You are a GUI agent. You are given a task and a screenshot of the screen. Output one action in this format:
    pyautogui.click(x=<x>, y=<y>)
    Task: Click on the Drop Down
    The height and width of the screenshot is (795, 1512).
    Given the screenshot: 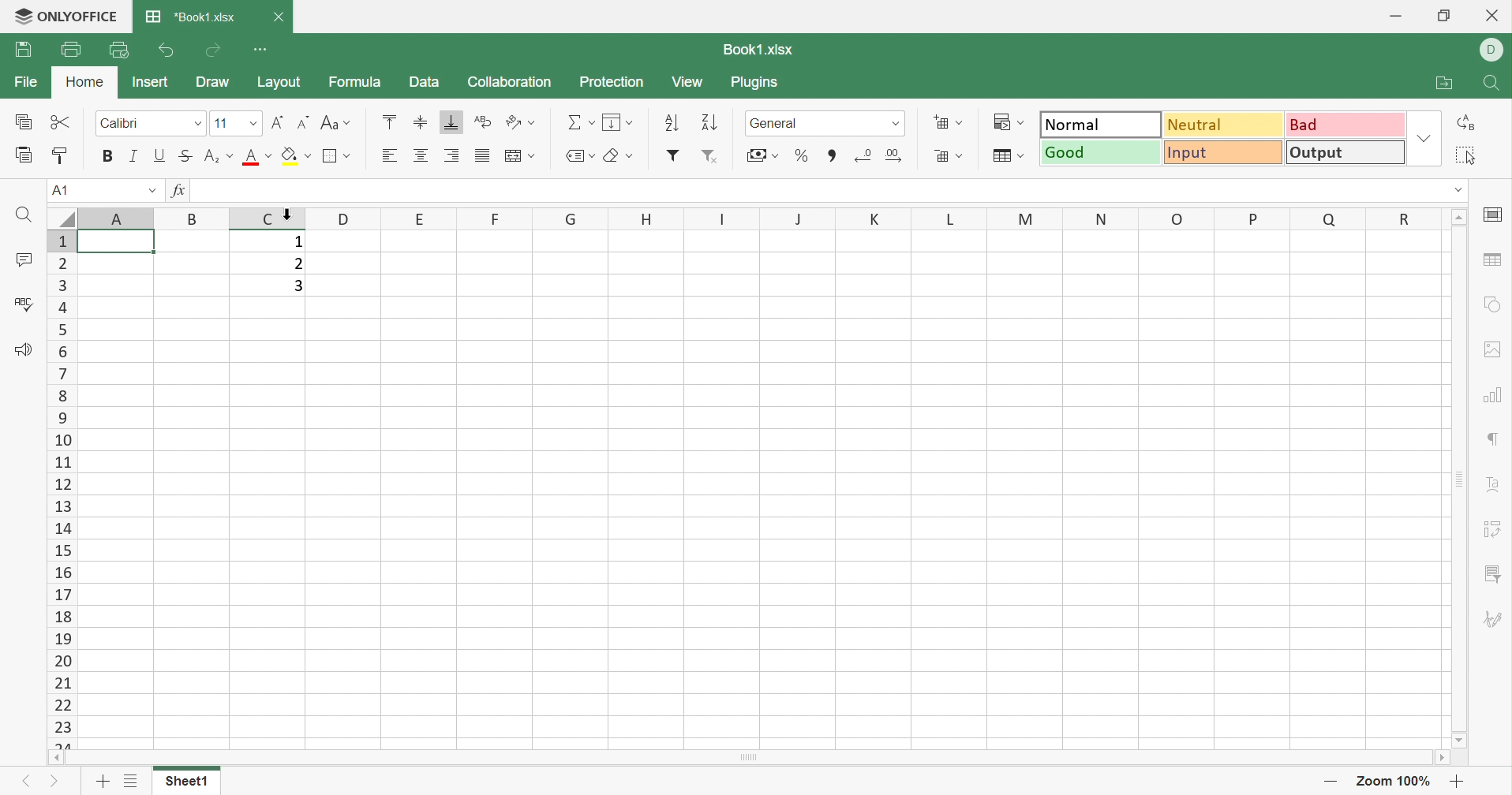 What is the action you would take?
    pyautogui.click(x=531, y=122)
    